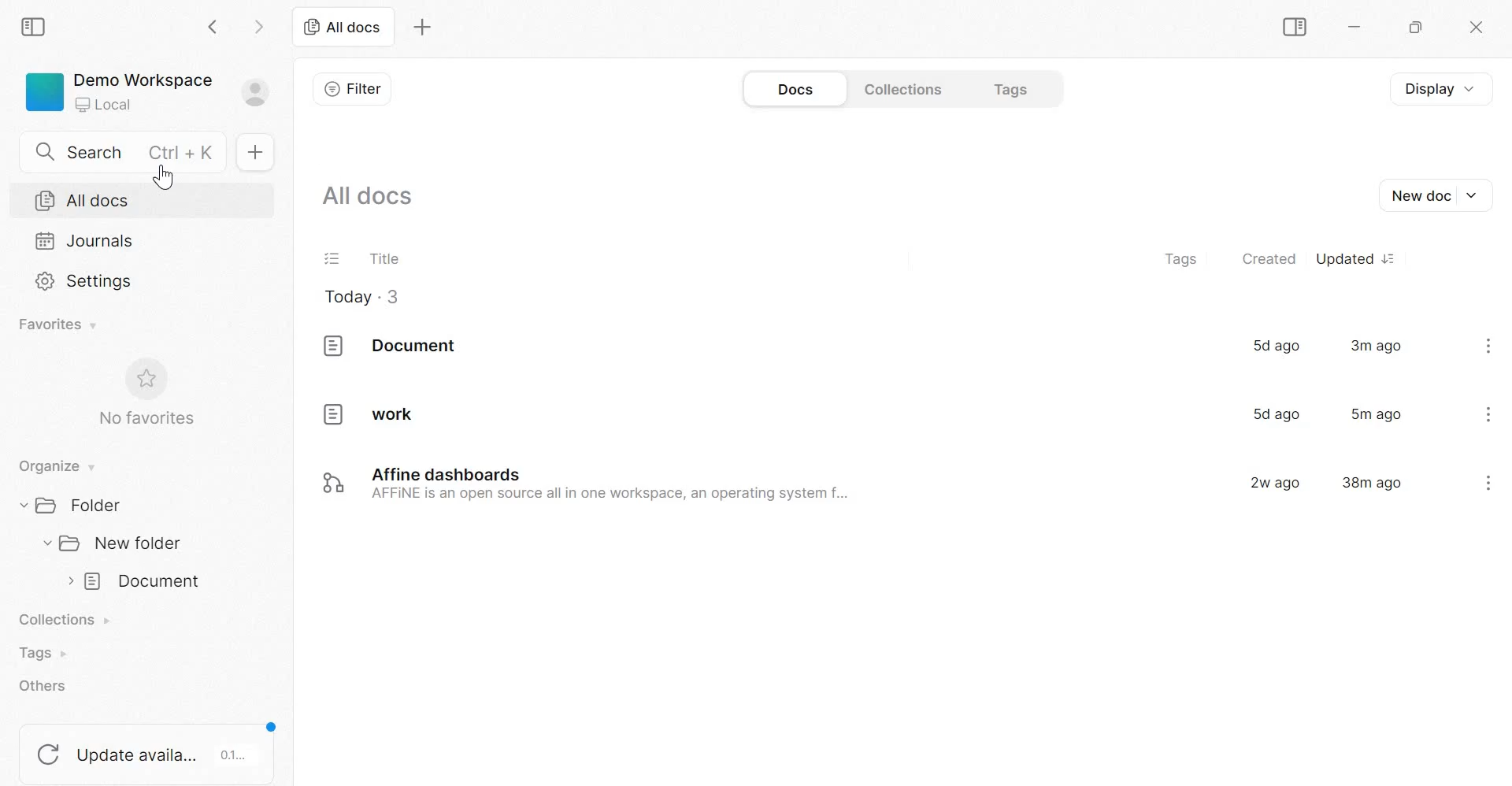 The width and height of the screenshot is (1512, 786). I want to click on 2w ago, so click(1270, 481).